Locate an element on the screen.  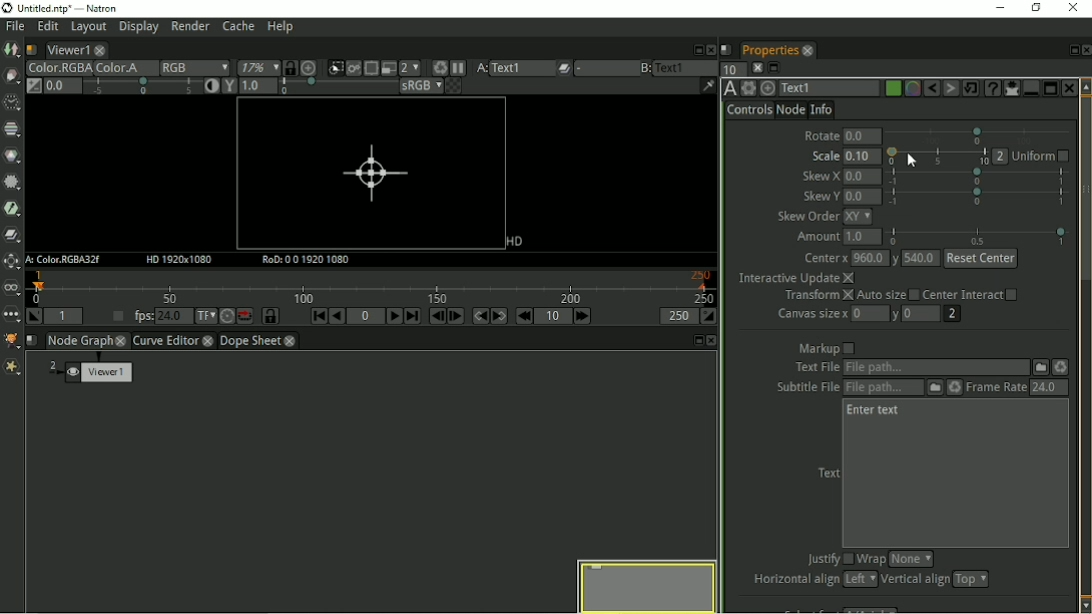
Frame rate is located at coordinates (1018, 386).